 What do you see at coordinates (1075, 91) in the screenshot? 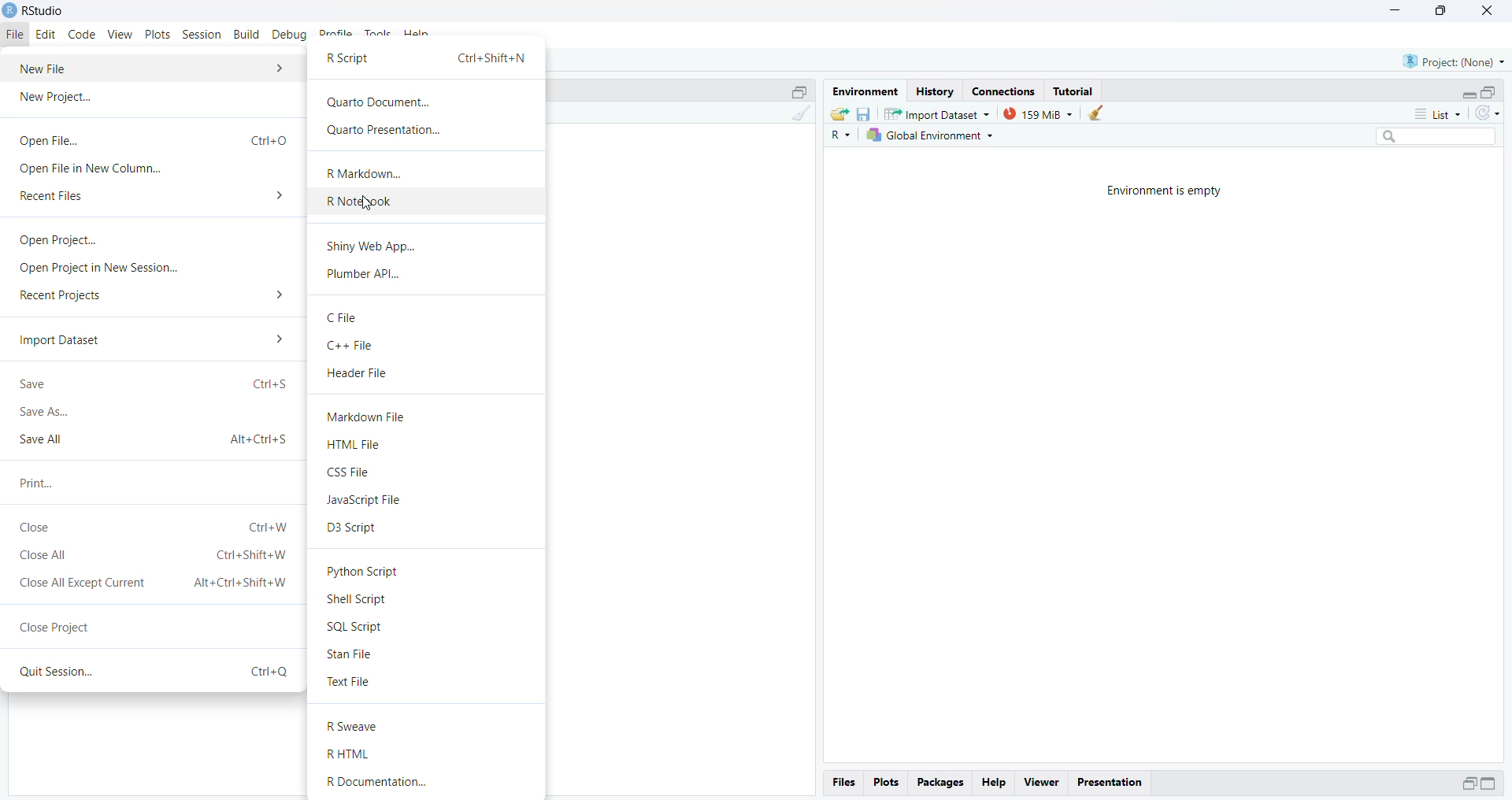
I see `tutorial` at bounding box center [1075, 91].